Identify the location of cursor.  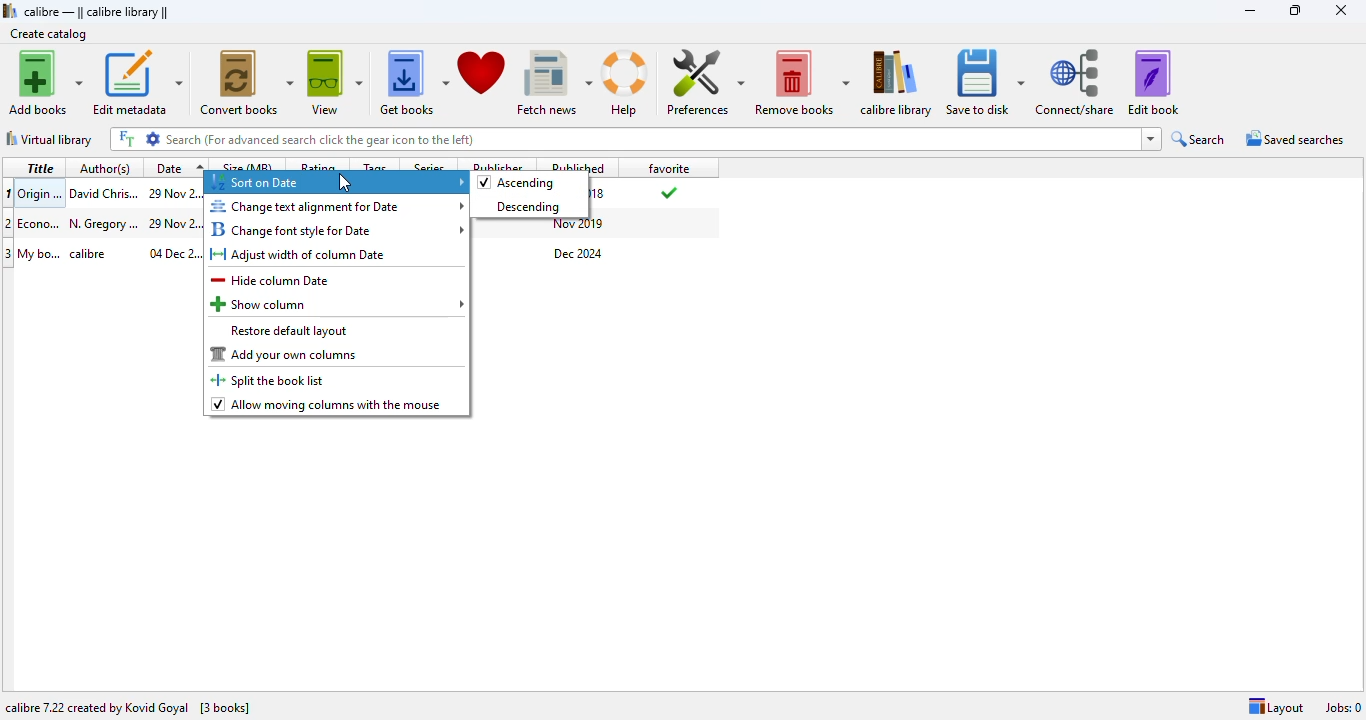
(344, 182).